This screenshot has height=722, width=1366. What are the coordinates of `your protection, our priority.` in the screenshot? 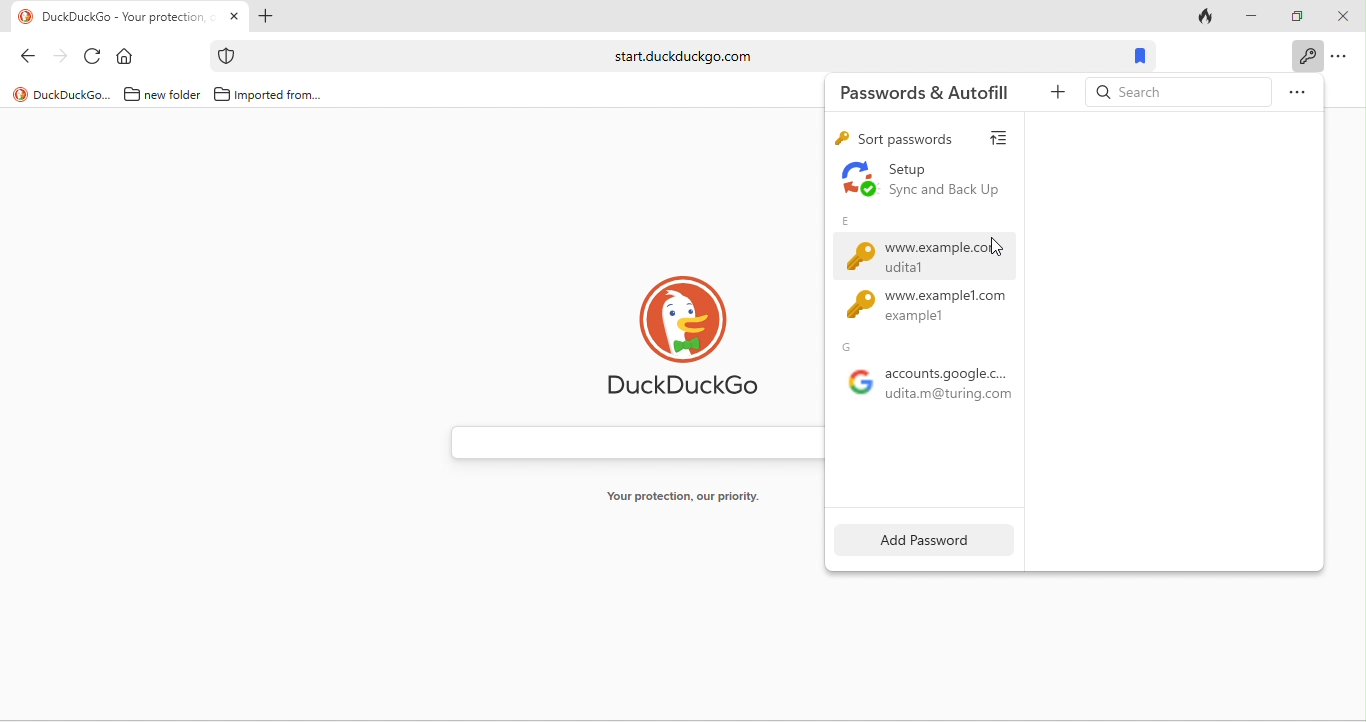 It's located at (692, 497).